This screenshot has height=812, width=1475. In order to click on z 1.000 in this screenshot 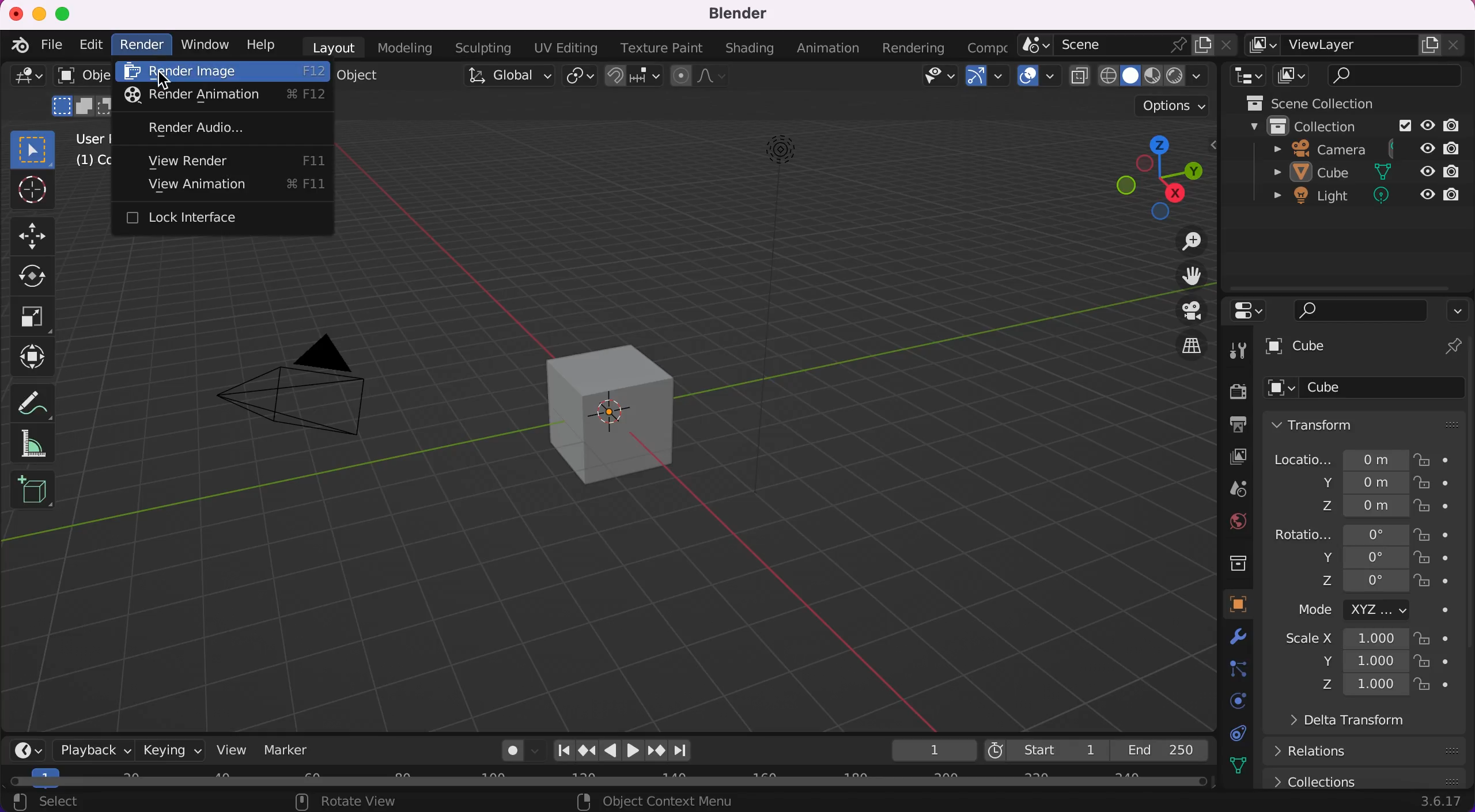, I will do `click(1362, 685)`.